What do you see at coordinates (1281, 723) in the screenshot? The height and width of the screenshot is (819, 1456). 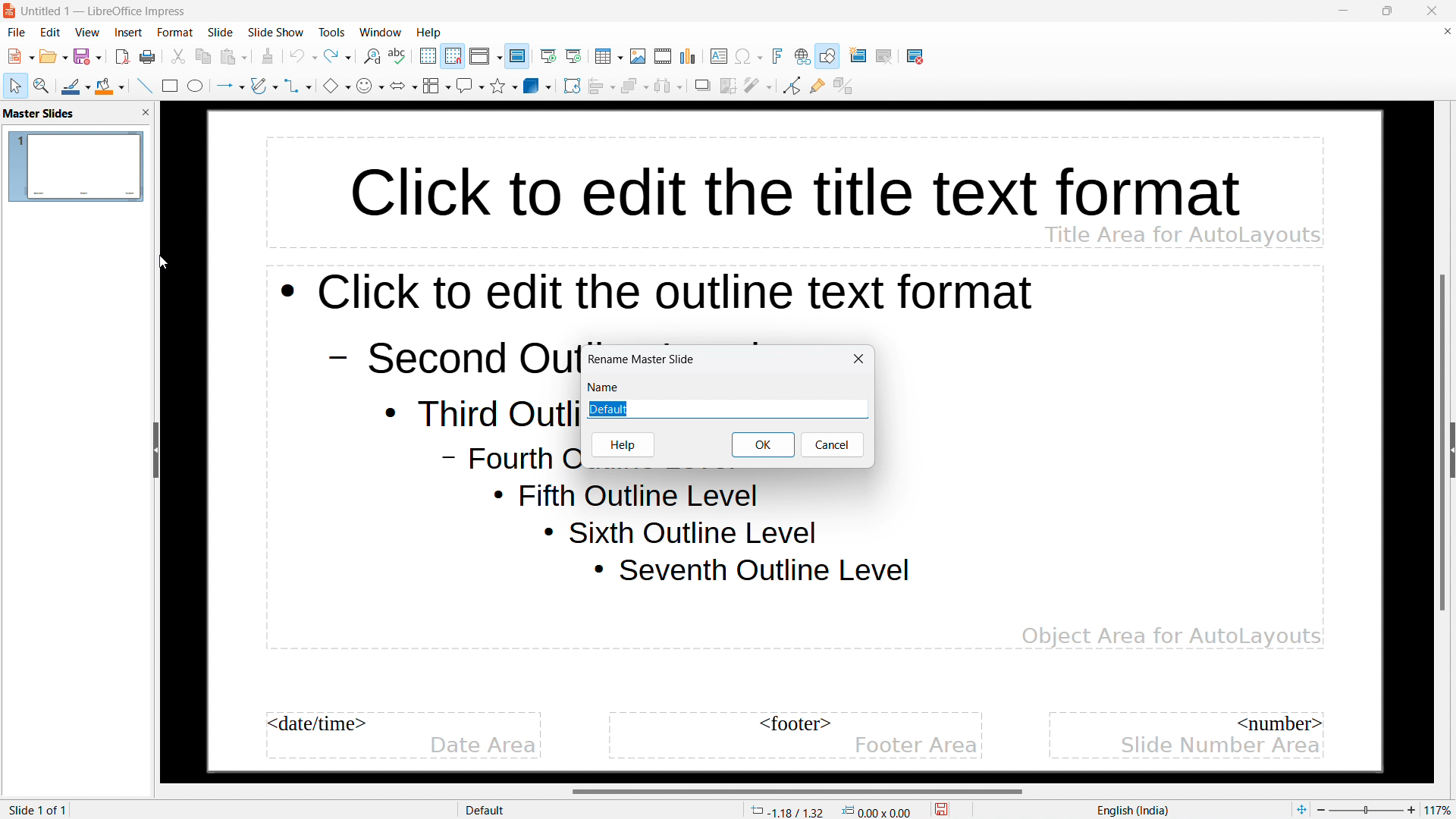 I see `<number>` at bounding box center [1281, 723].